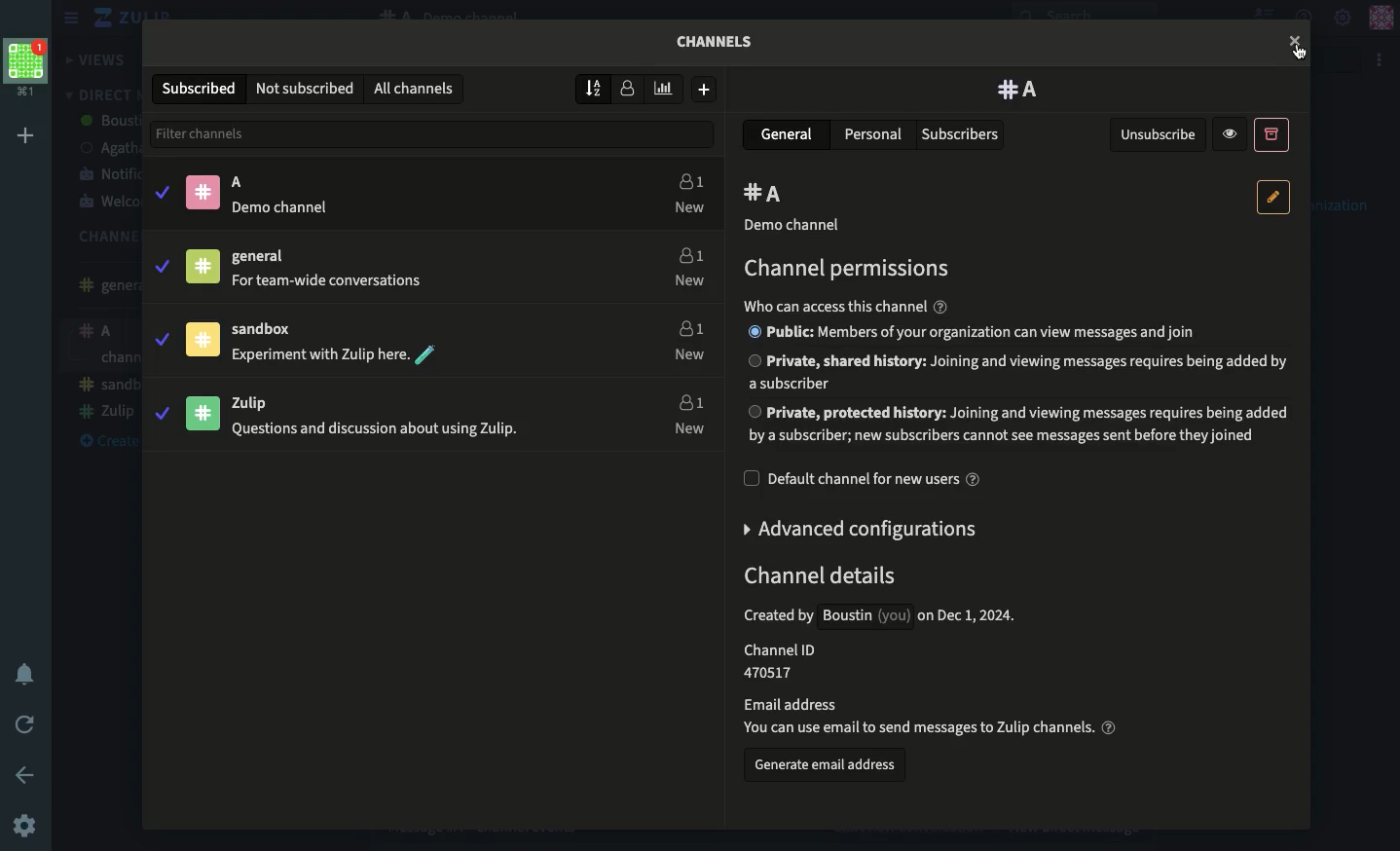 This screenshot has width=1400, height=851. Describe the element at coordinates (940, 307) in the screenshot. I see `help` at that location.